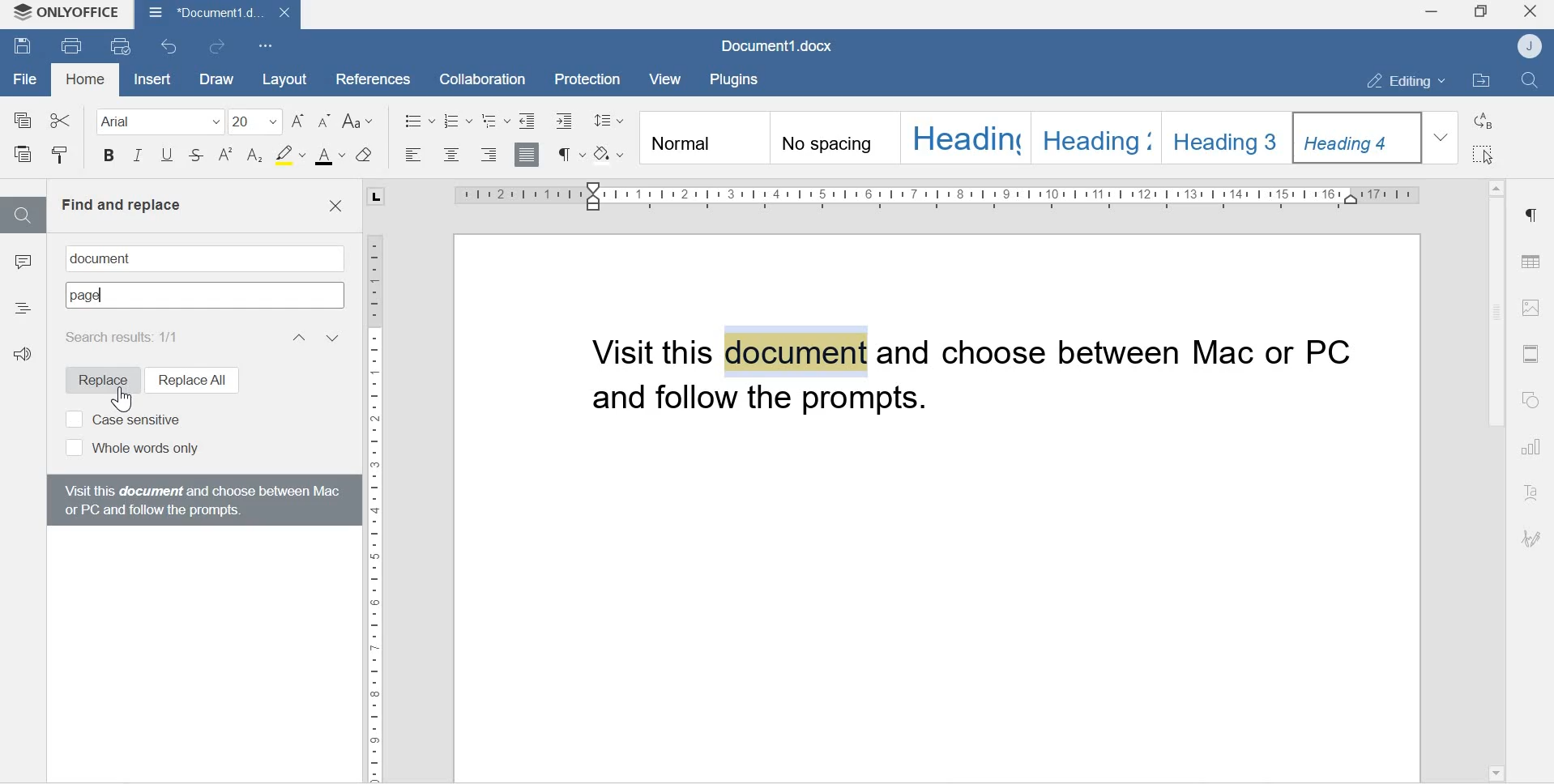 The image size is (1554, 784). Describe the element at coordinates (96, 380) in the screenshot. I see `Replace` at that location.